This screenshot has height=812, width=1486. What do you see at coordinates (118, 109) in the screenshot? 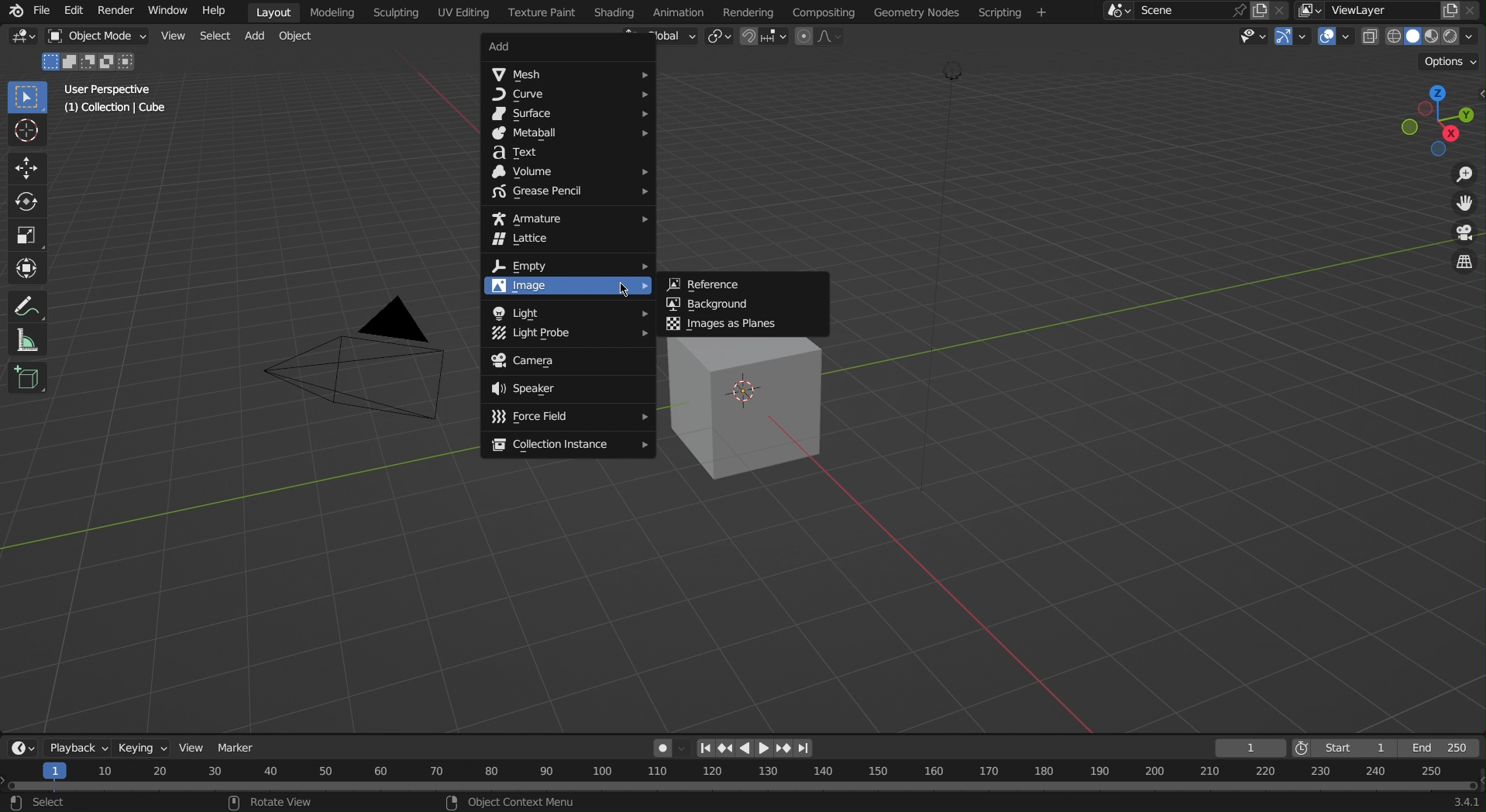
I see `(1) Collection | Cube` at bounding box center [118, 109].